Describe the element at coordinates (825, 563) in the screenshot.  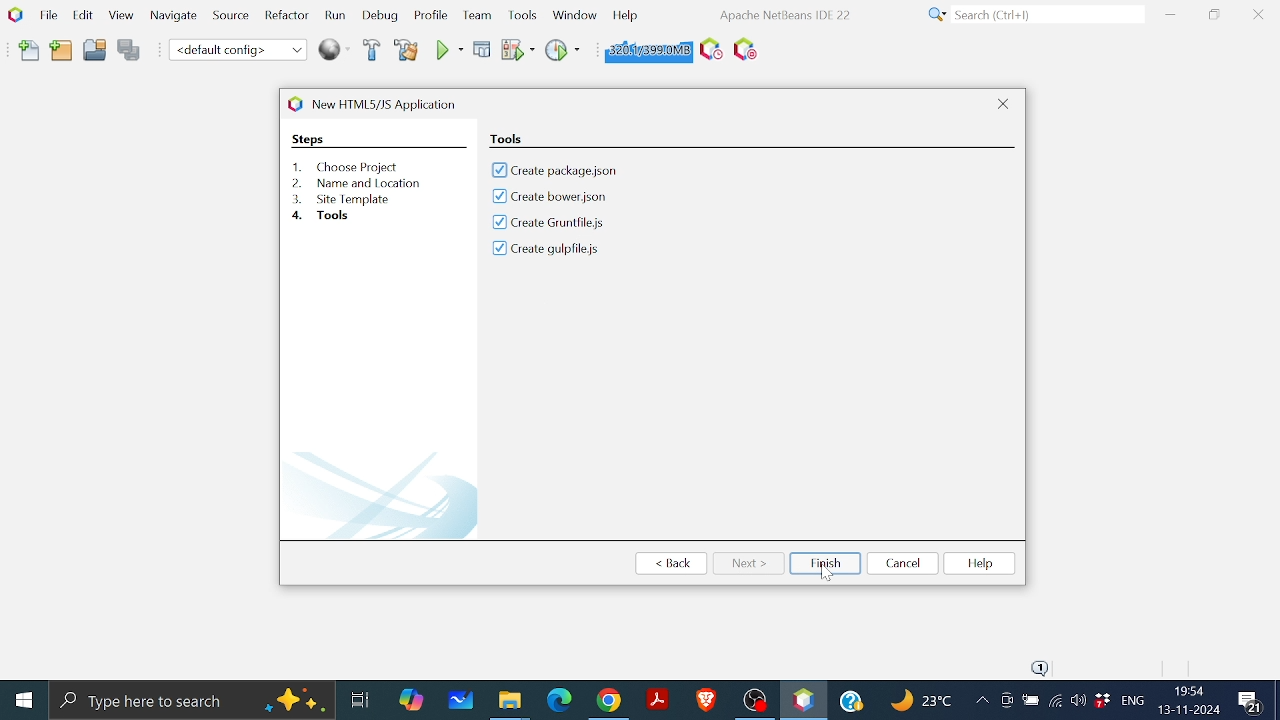
I see `Finish` at that location.